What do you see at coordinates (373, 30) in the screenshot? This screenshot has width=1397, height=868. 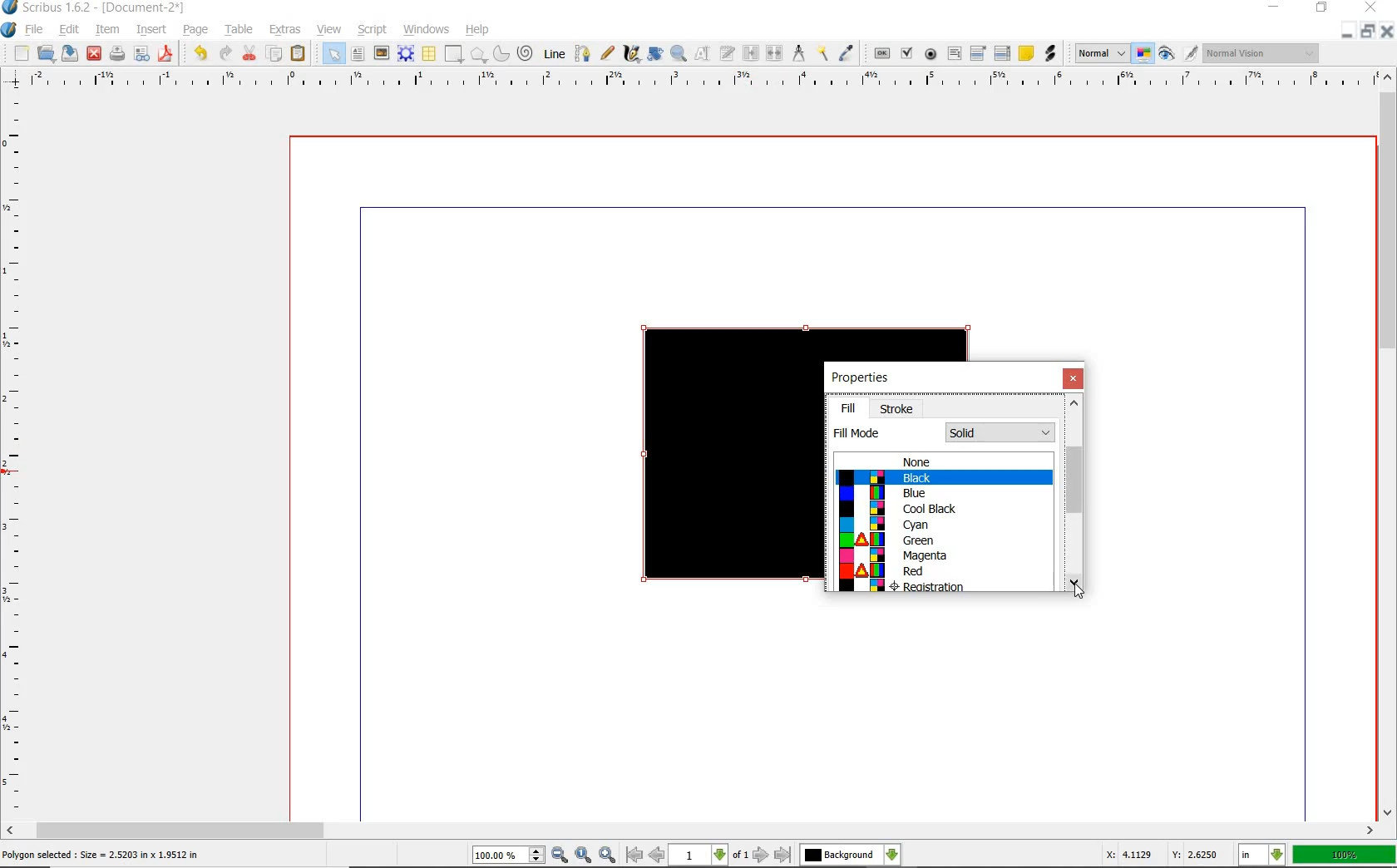 I see `script` at bounding box center [373, 30].